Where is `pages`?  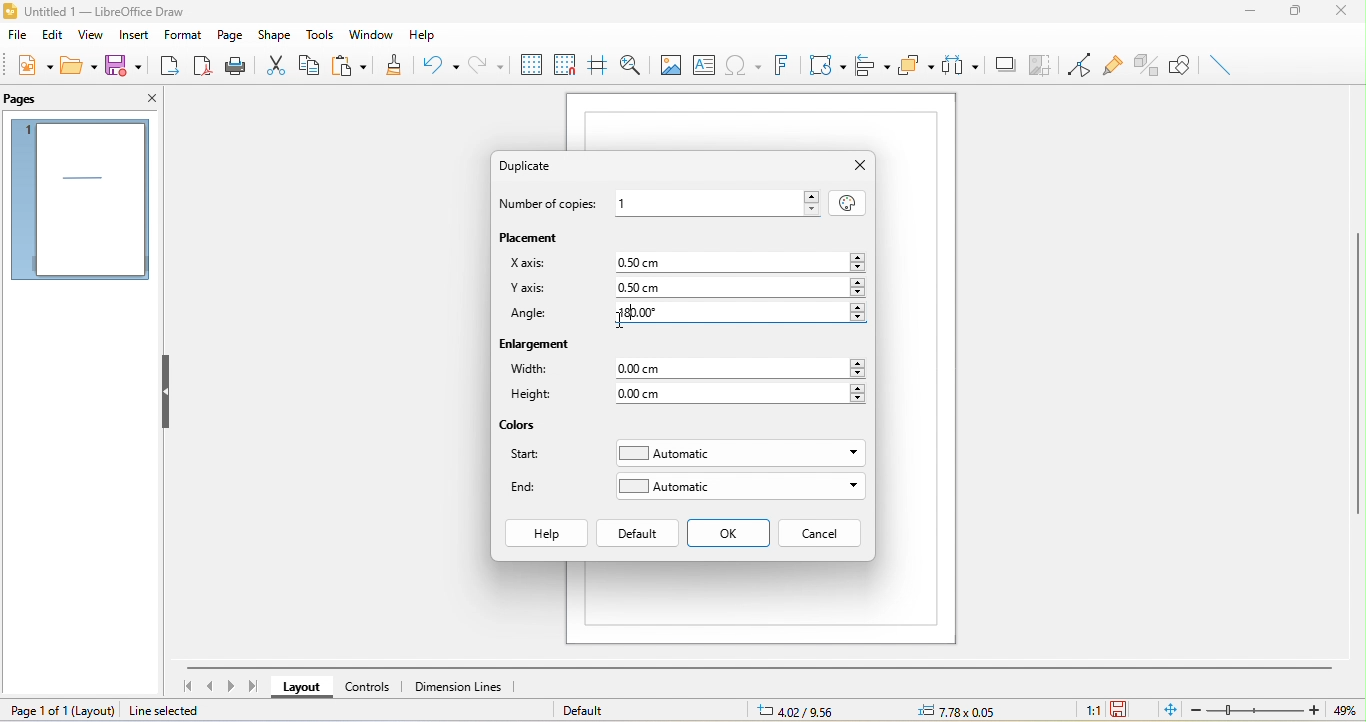 pages is located at coordinates (79, 200).